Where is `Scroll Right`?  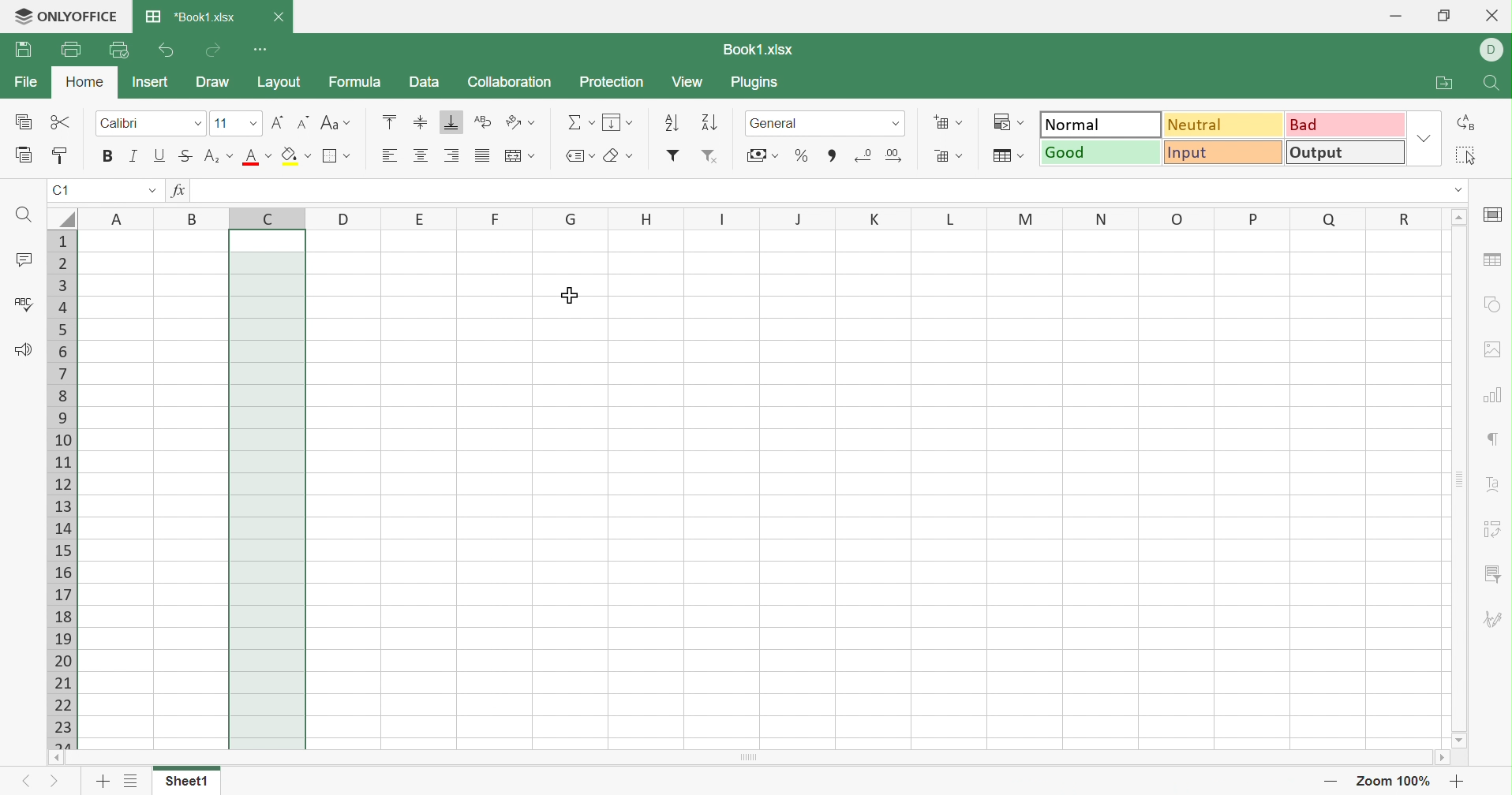 Scroll Right is located at coordinates (1441, 760).